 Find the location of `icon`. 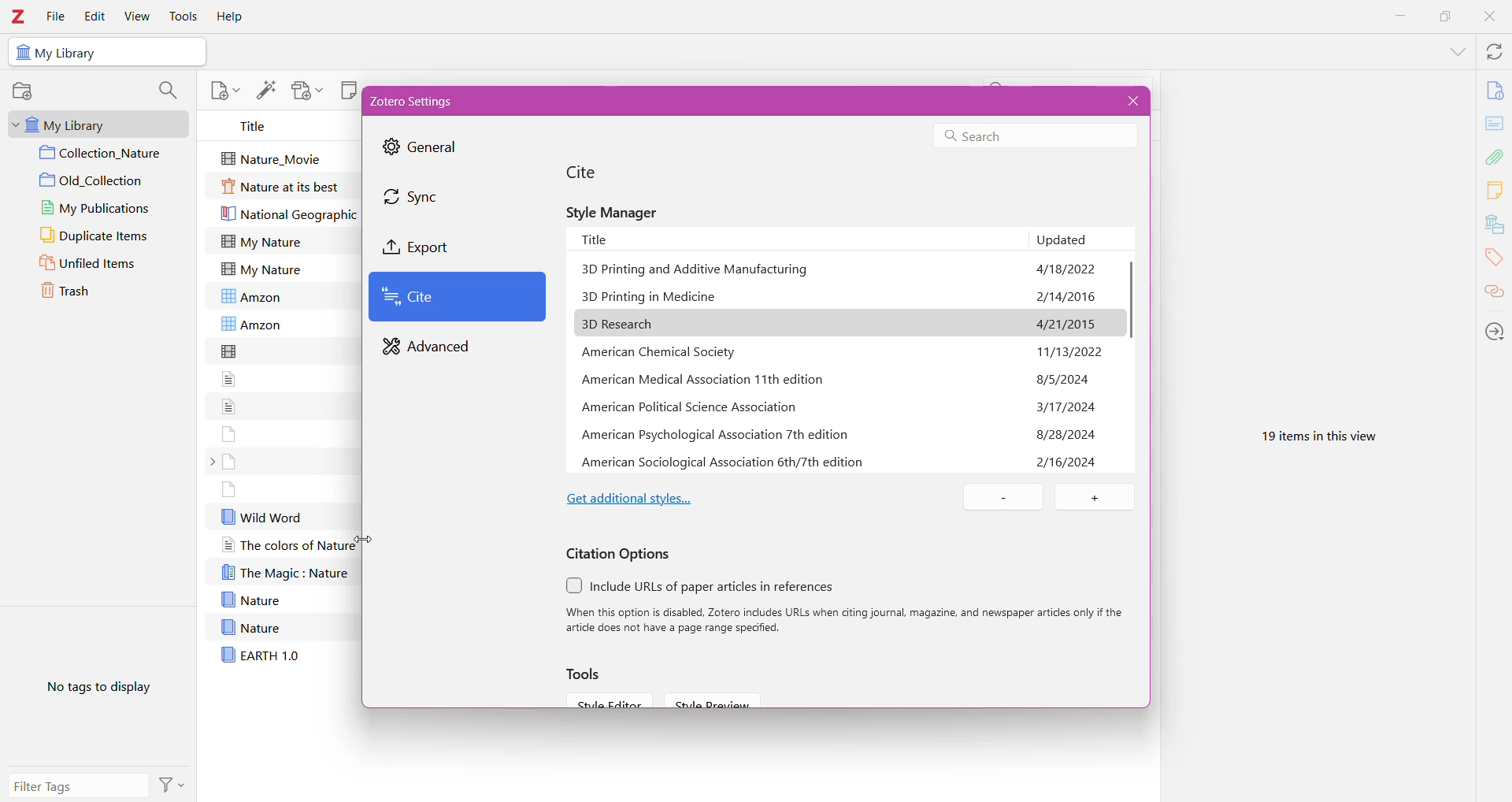

icon is located at coordinates (21, 53).